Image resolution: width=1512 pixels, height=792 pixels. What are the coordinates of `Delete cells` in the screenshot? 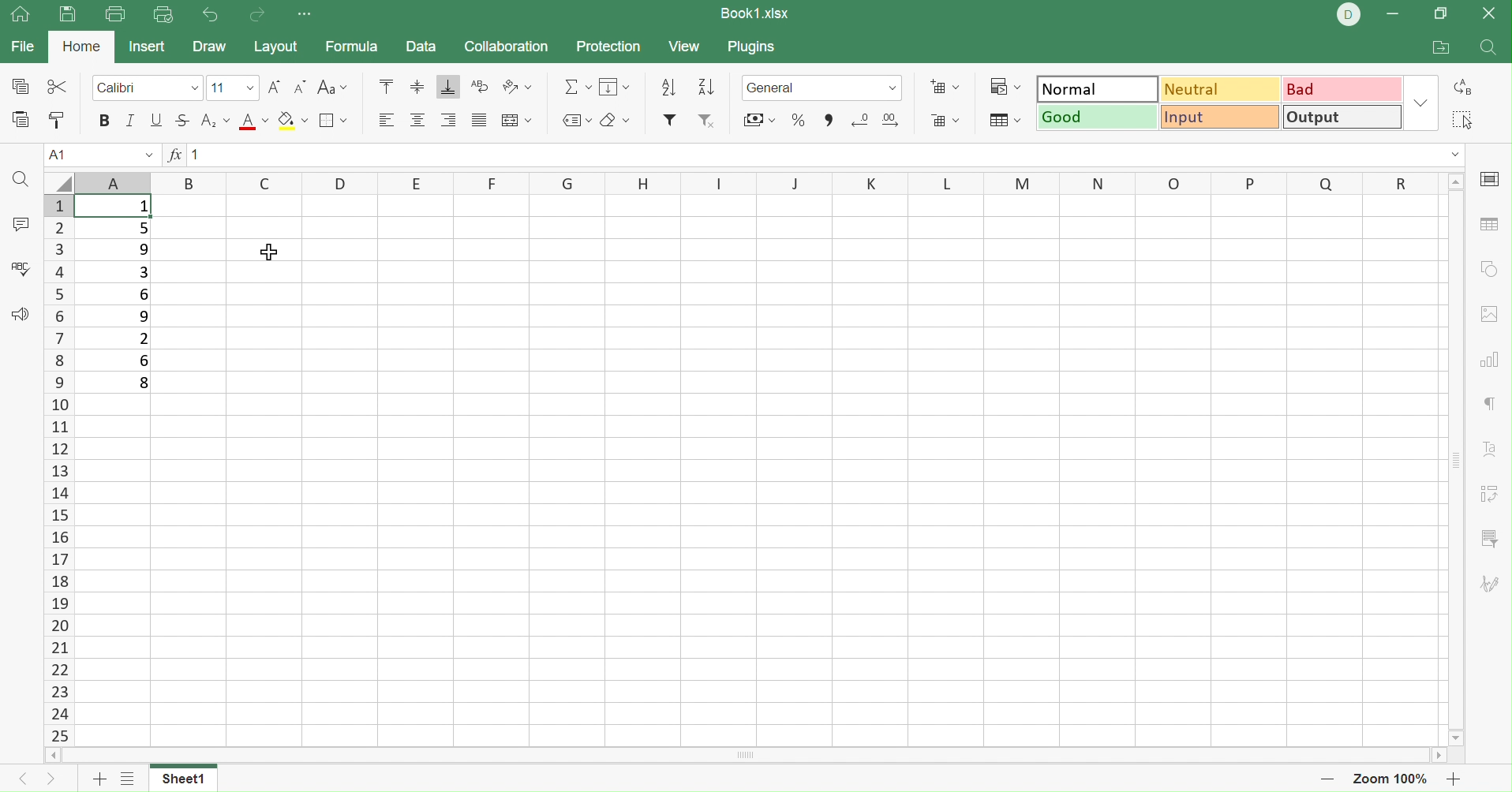 It's located at (946, 123).